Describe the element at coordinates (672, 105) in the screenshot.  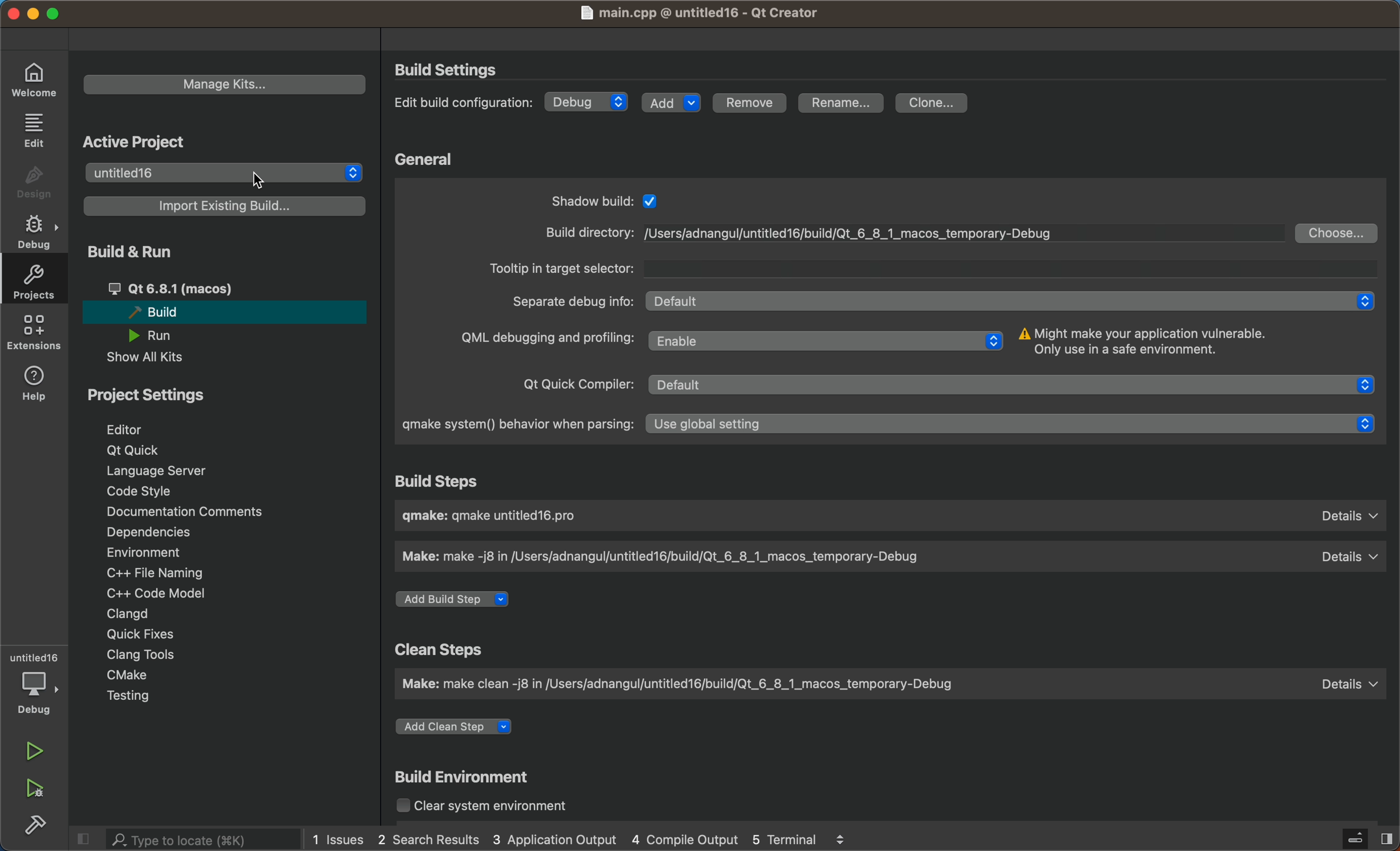
I see `add` at that location.